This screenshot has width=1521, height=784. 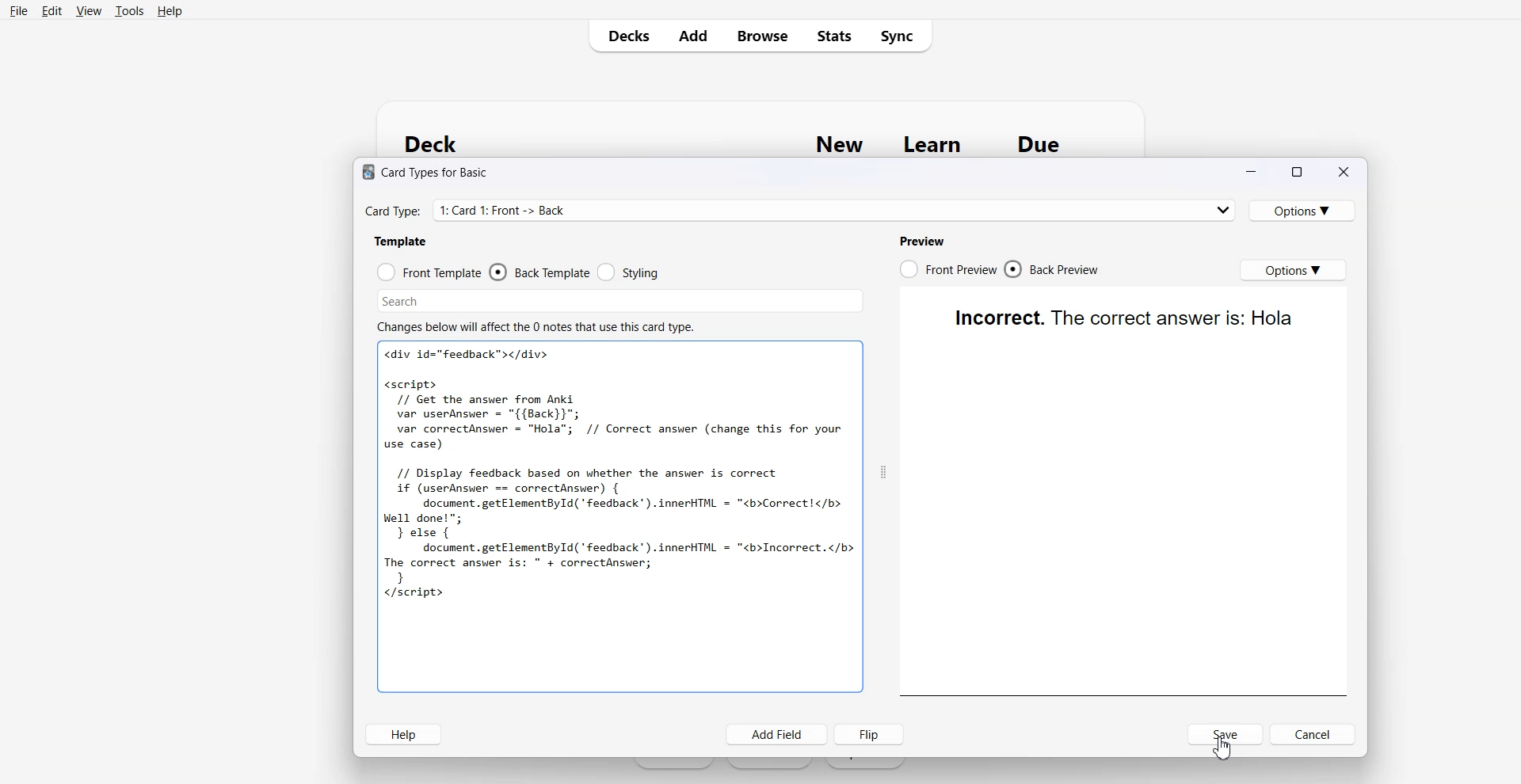 I want to click on View, so click(x=89, y=10).